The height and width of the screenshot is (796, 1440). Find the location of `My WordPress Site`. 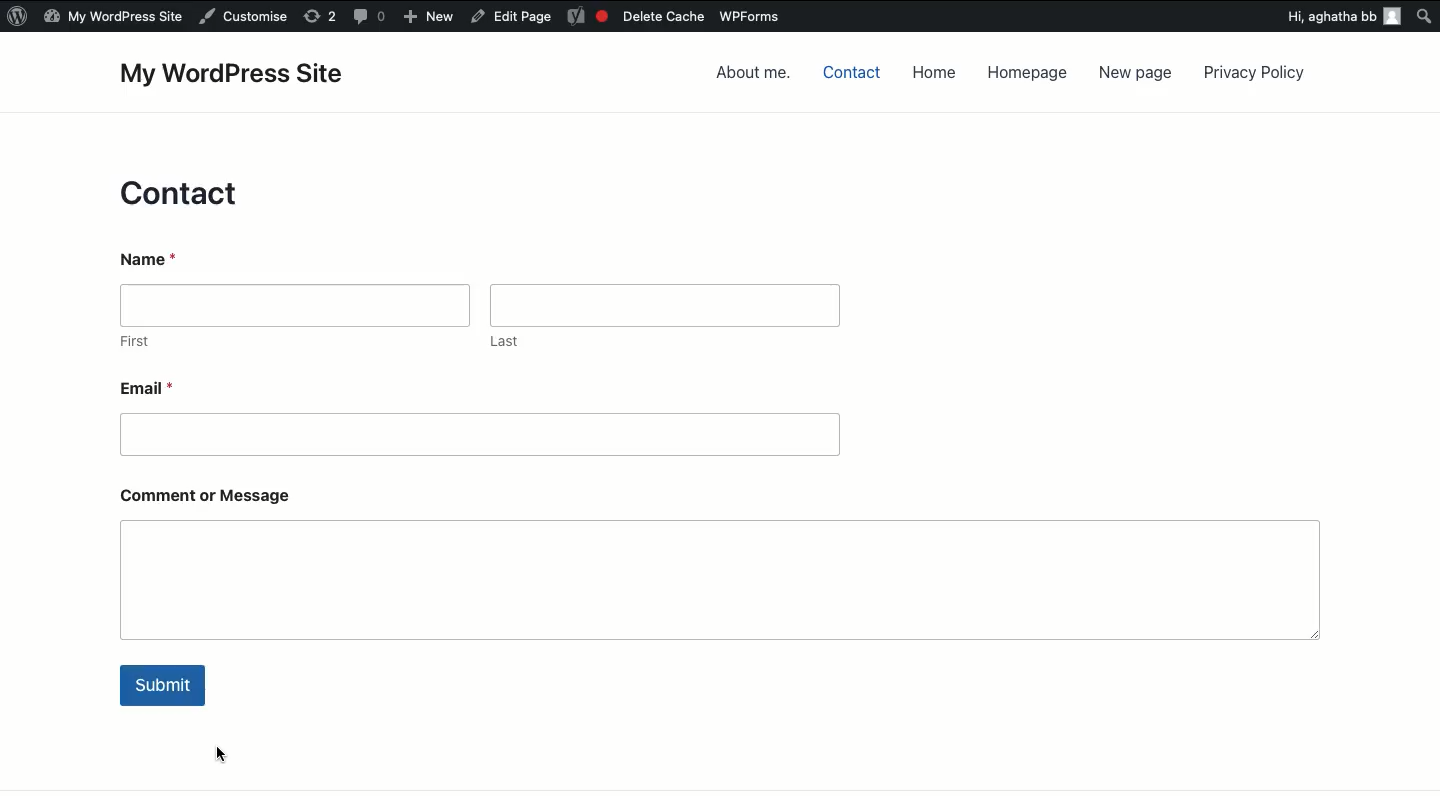

My WordPress Site is located at coordinates (257, 71).